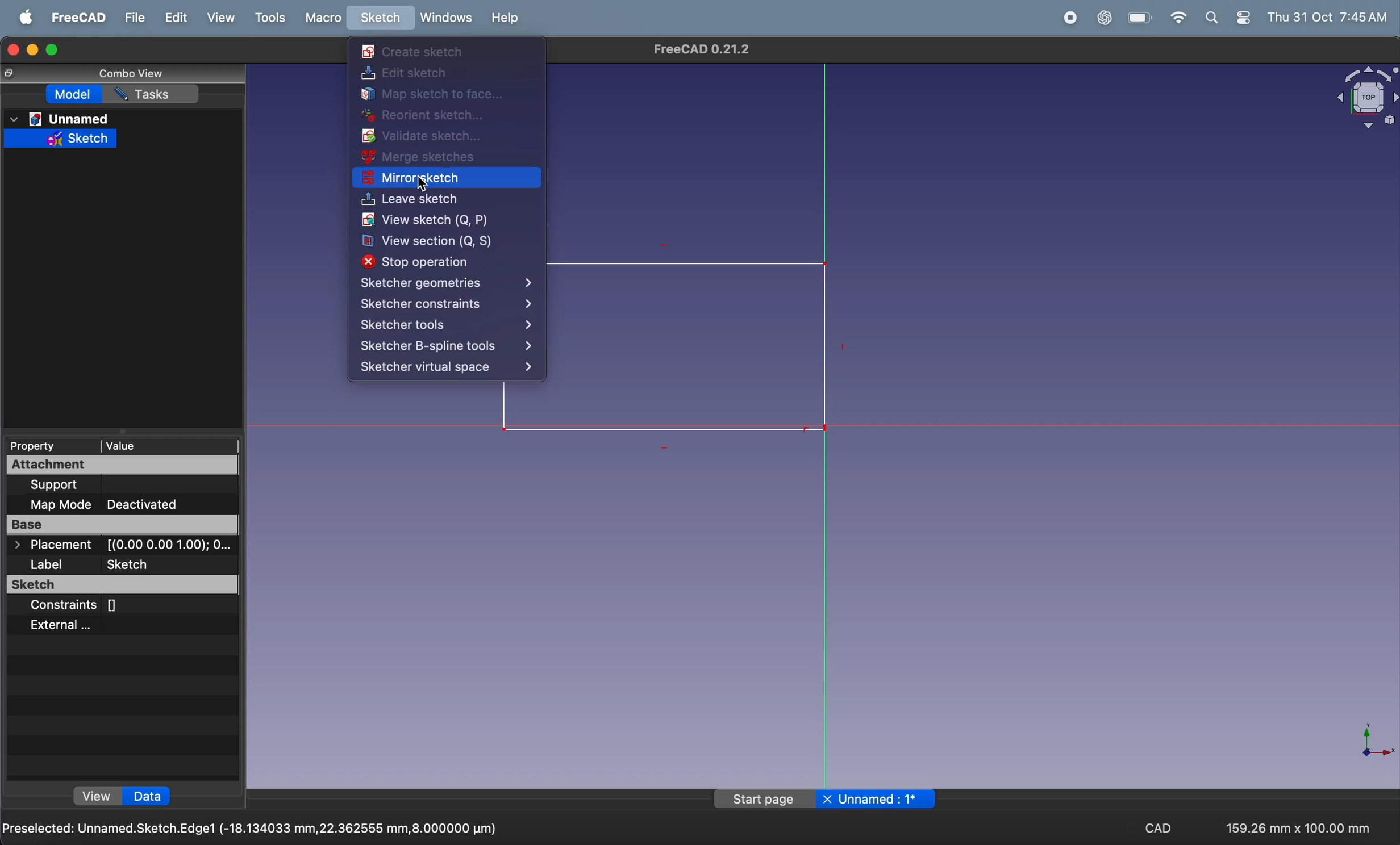  I want to click on stop operation, so click(434, 262).